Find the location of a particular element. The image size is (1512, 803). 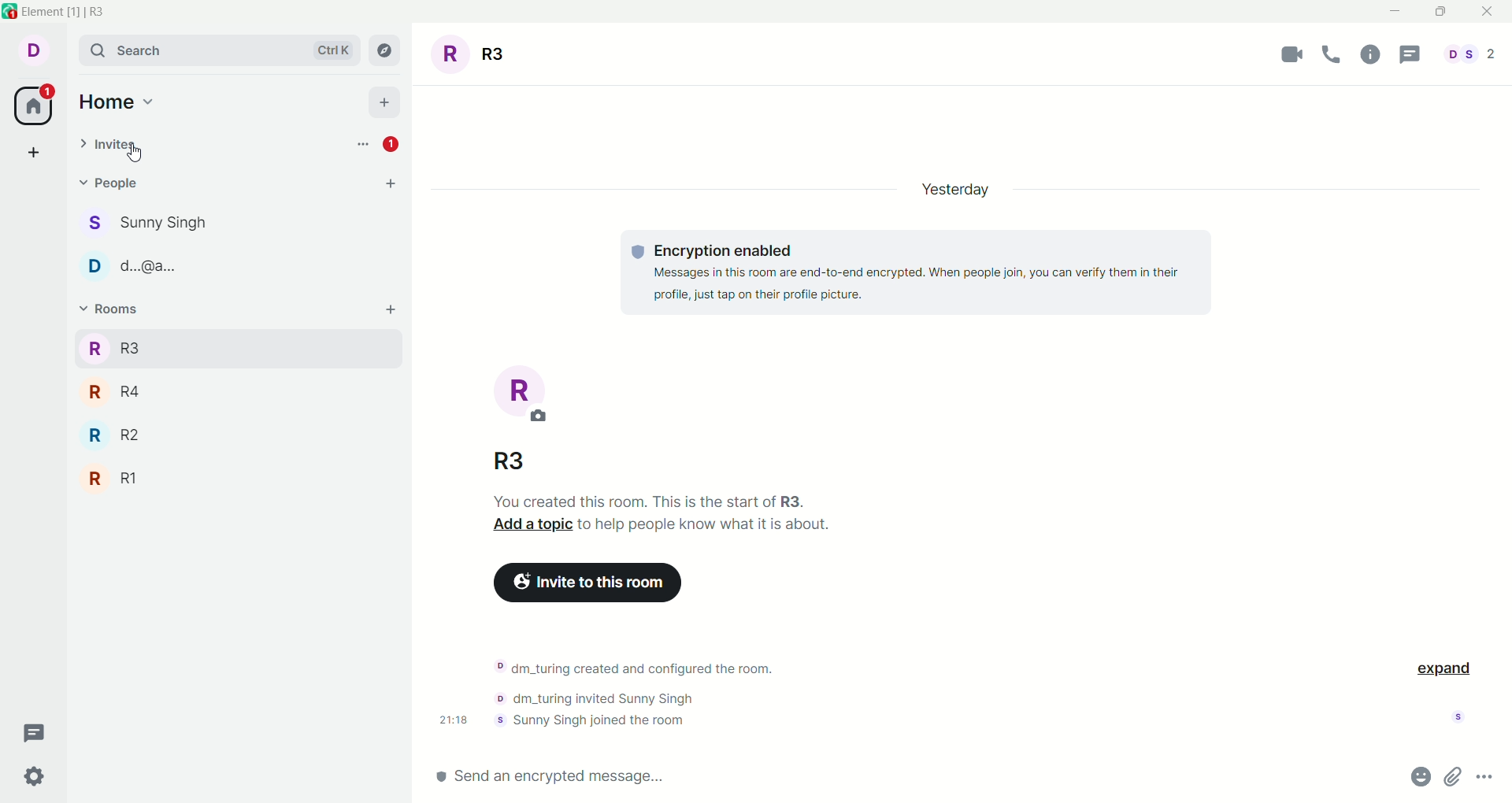

video call is located at coordinates (1283, 56).